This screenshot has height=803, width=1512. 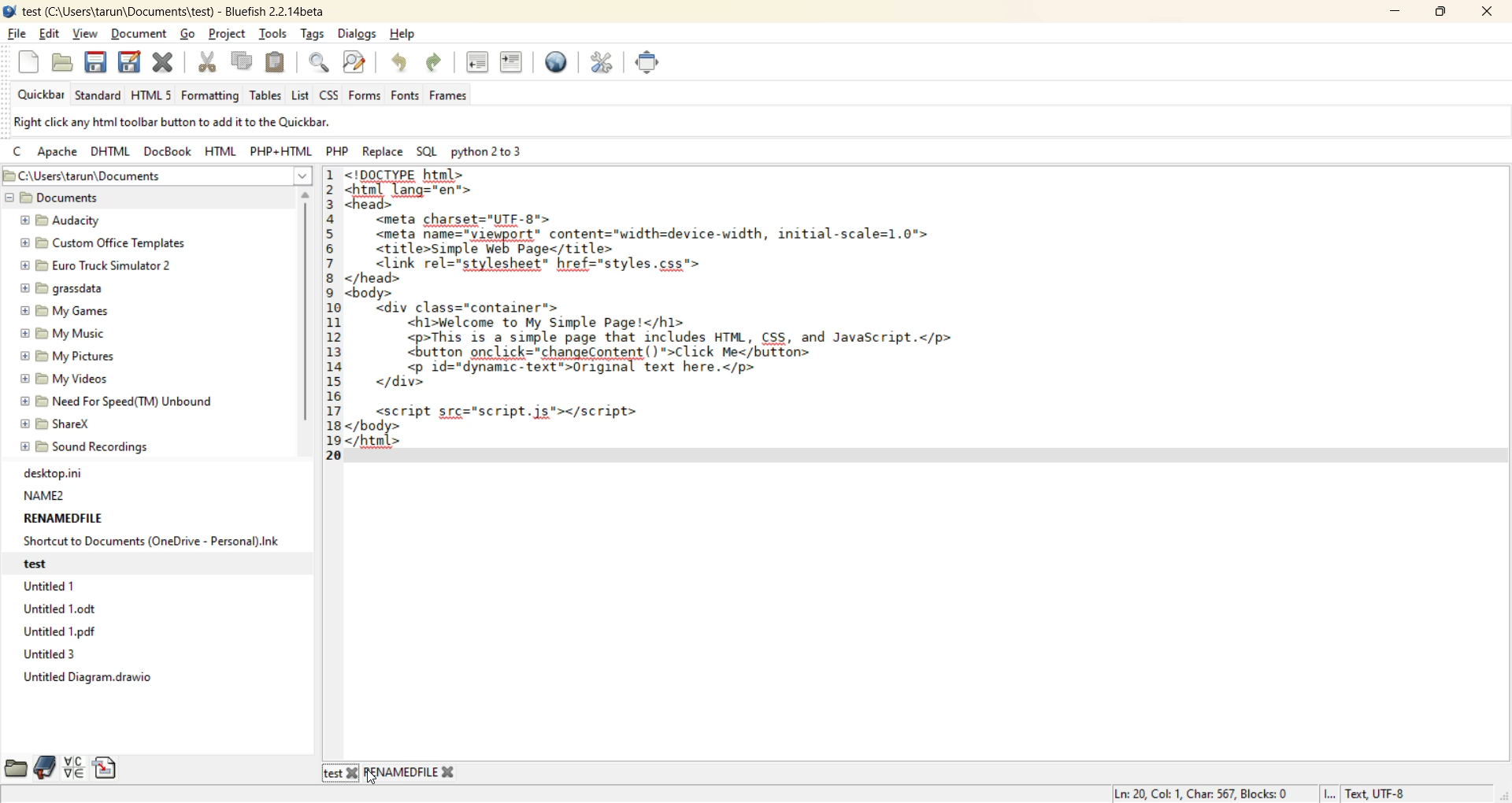 I want to click on fonts, so click(x=407, y=96).